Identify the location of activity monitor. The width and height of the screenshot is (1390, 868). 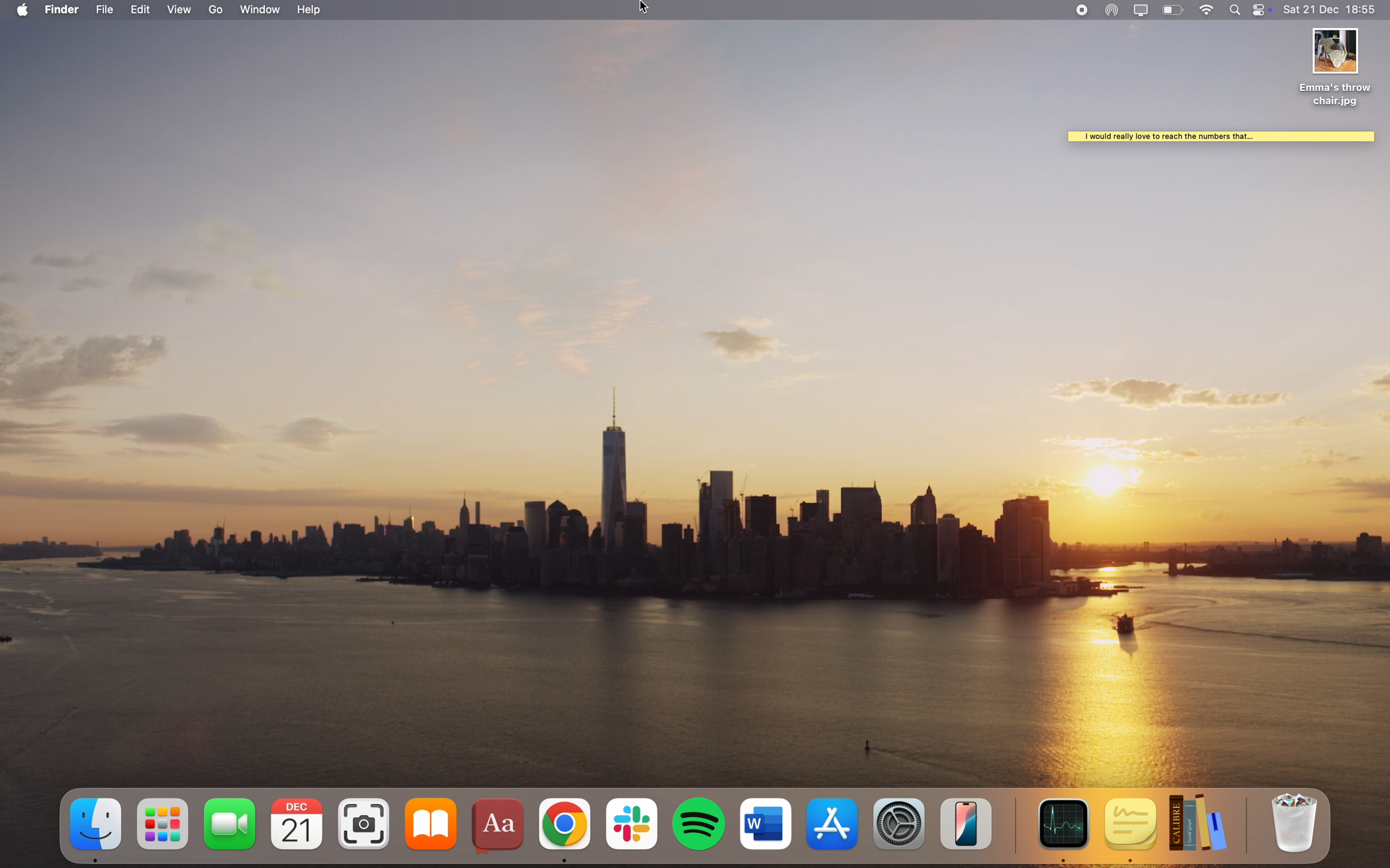
(1057, 832).